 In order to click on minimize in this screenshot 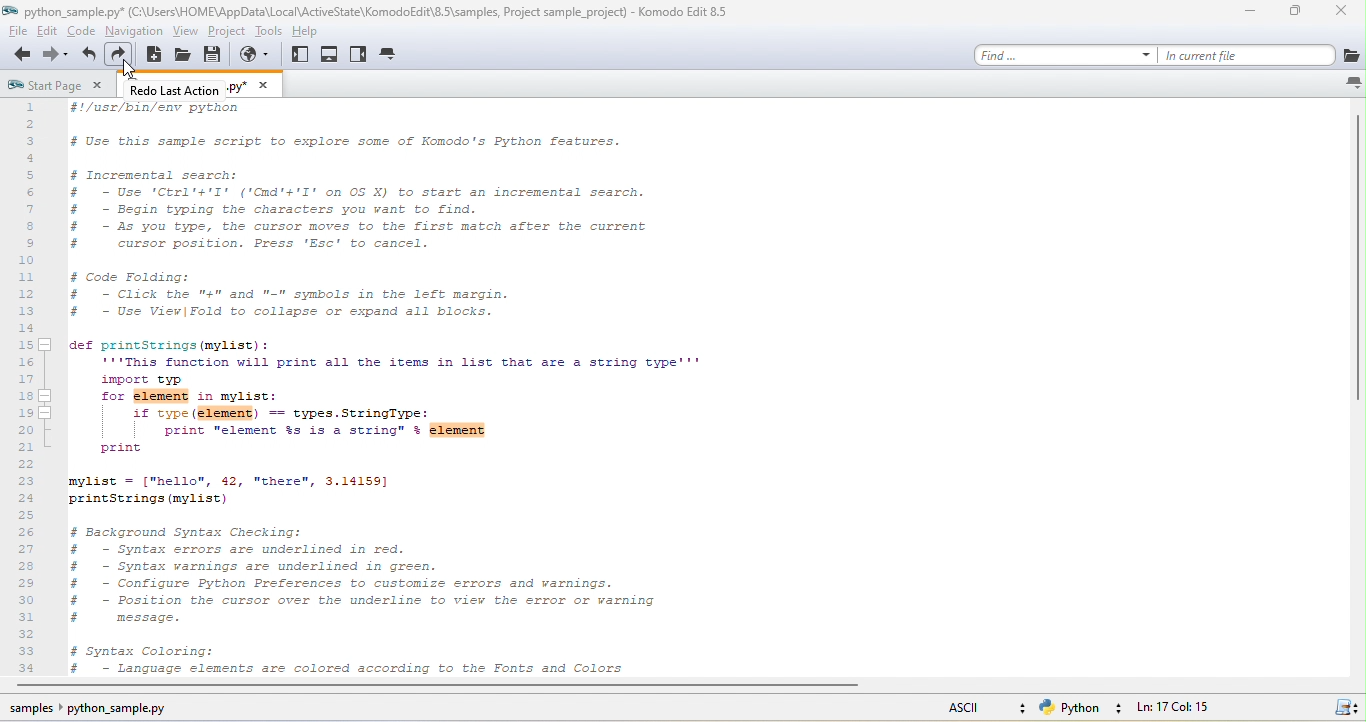, I will do `click(1243, 11)`.